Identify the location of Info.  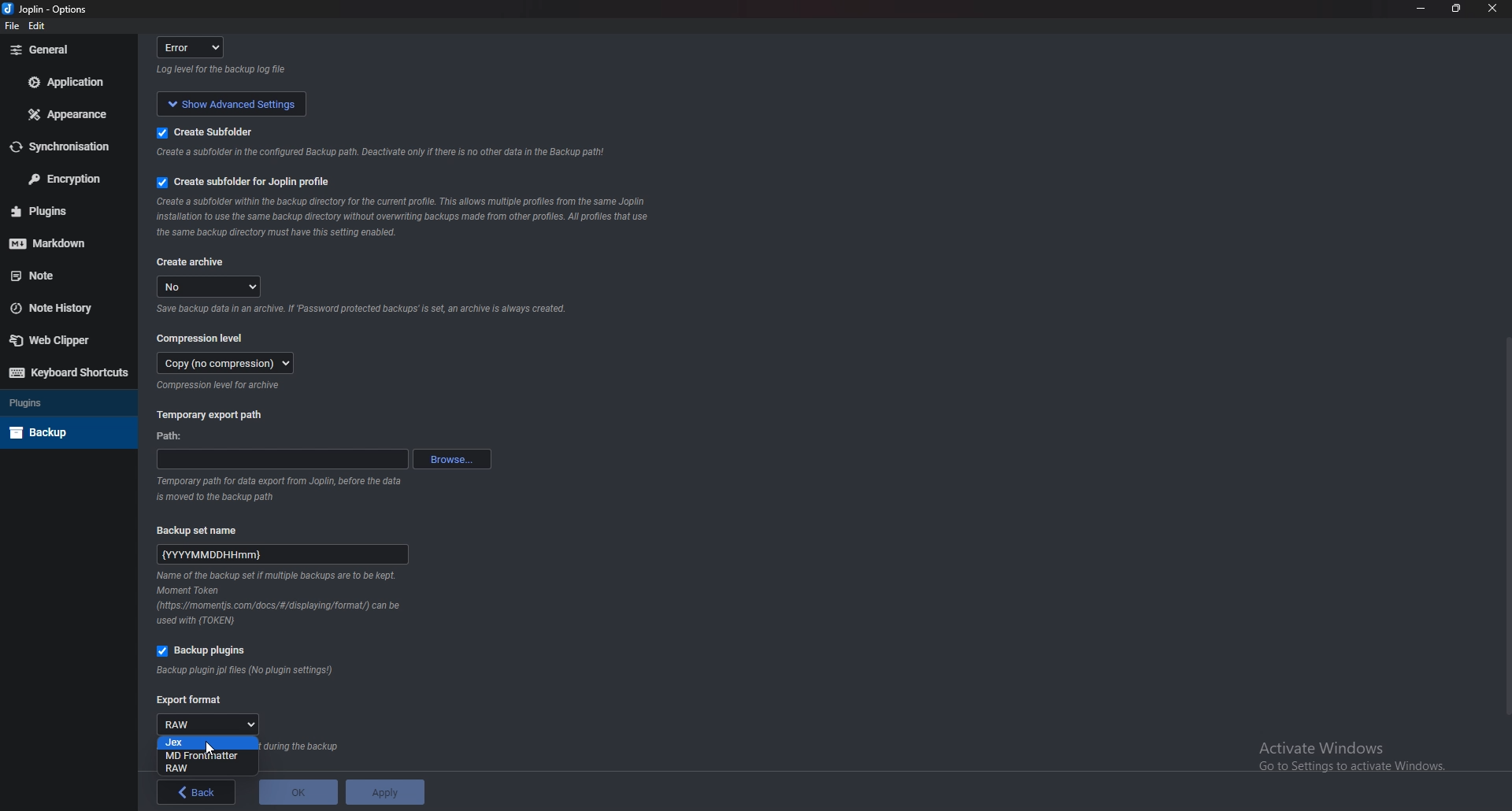
(281, 599).